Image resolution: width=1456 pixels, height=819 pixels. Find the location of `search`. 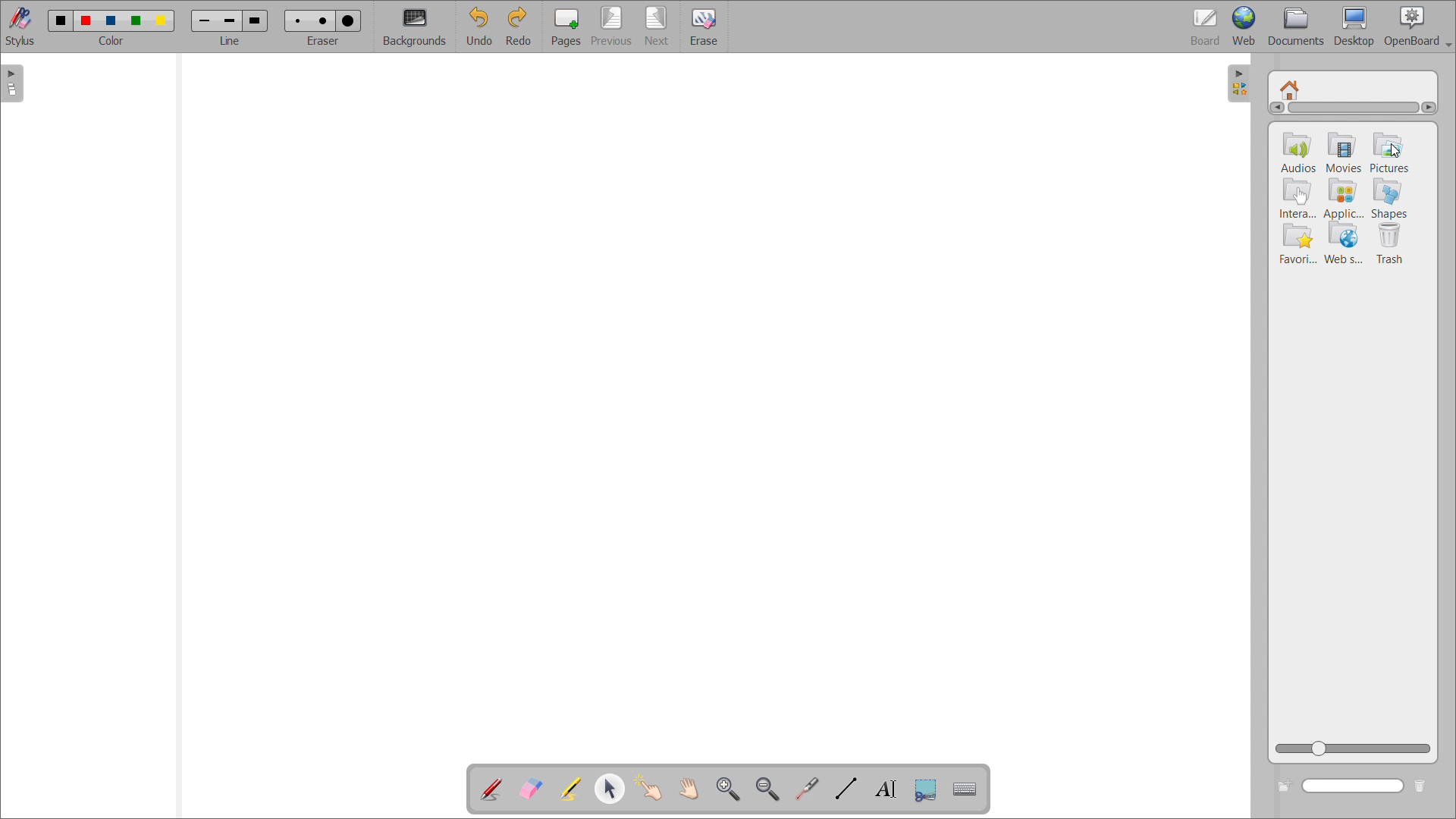

search is located at coordinates (1353, 786).